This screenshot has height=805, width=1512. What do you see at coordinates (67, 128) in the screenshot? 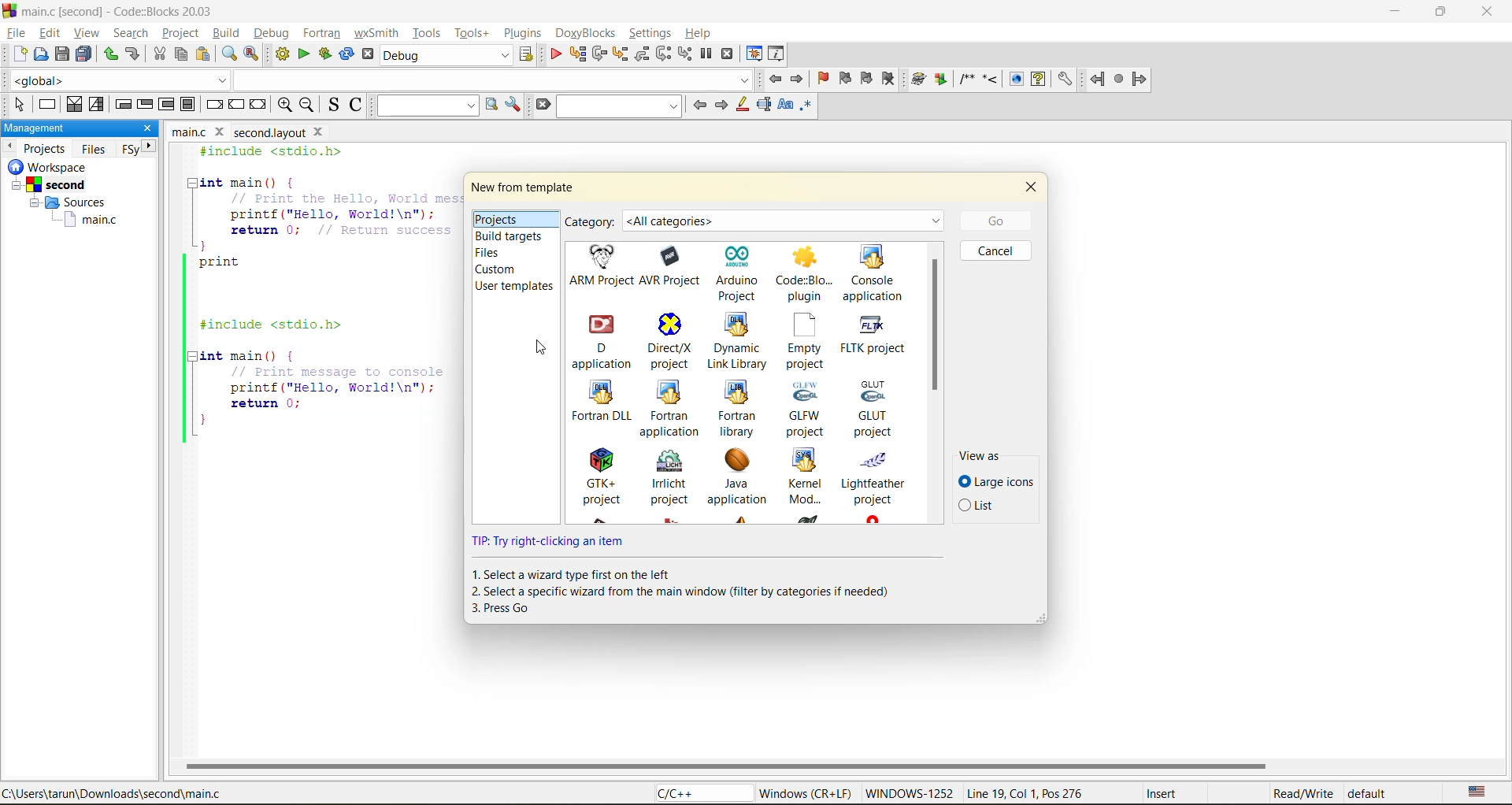
I see `management` at bounding box center [67, 128].